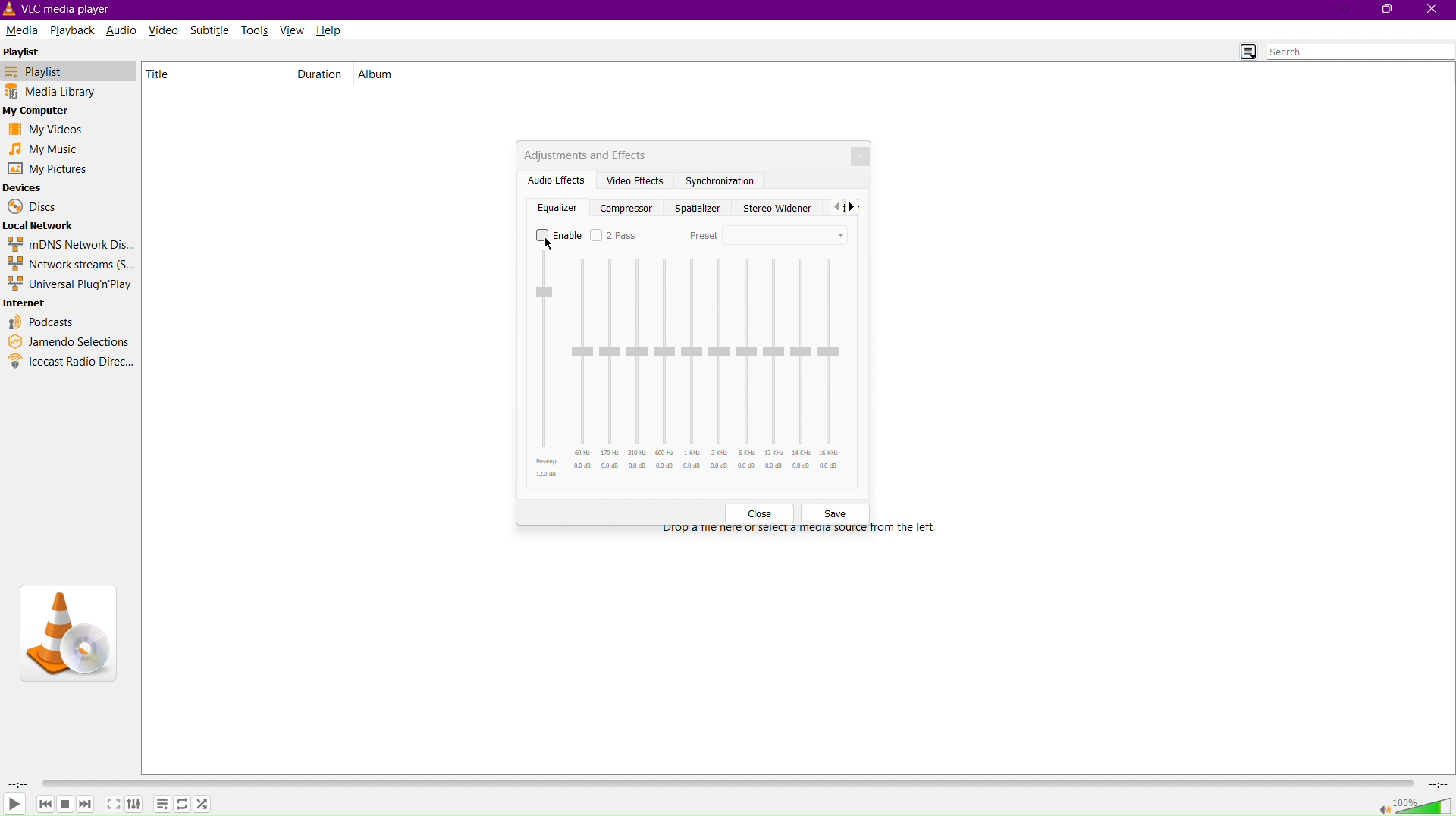 The width and height of the screenshot is (1456, 816). Describe the element at coordinates (783, 235) in the screenshot. I see `Preset` at that location.